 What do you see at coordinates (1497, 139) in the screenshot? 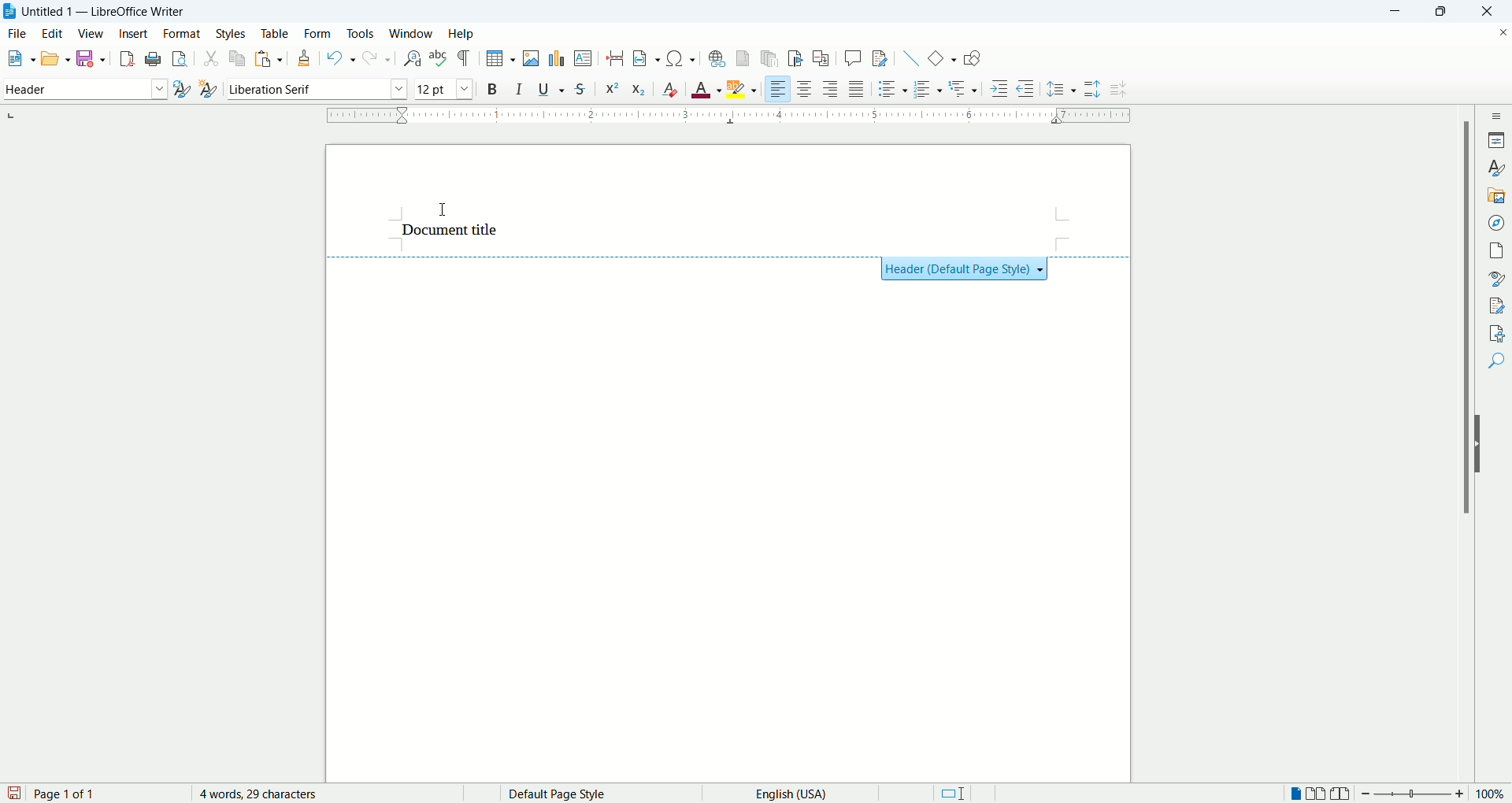
I see `properties` at bounding box center [1497, 139].